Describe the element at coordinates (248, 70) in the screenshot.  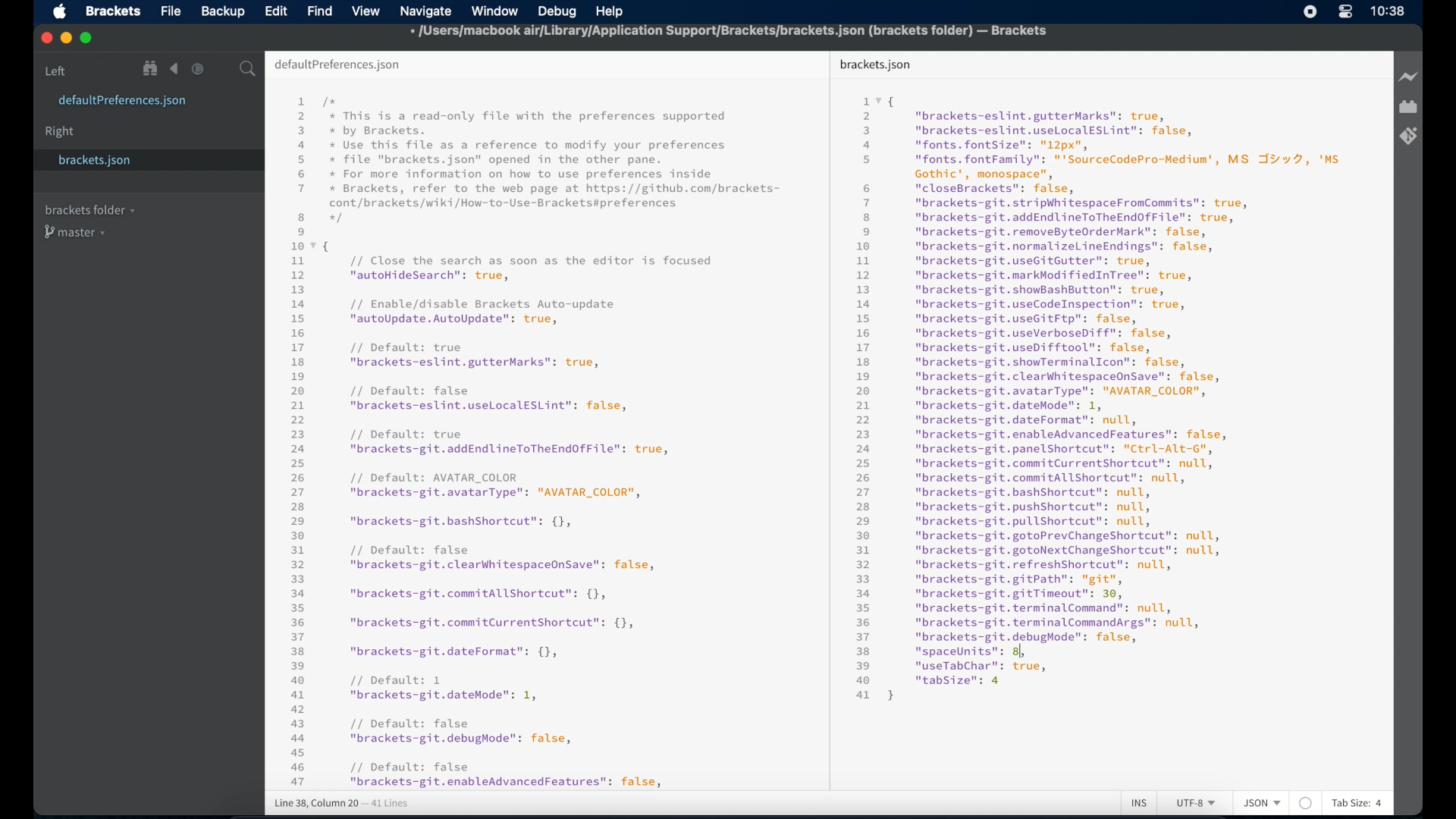
I see `search bar` at that location.